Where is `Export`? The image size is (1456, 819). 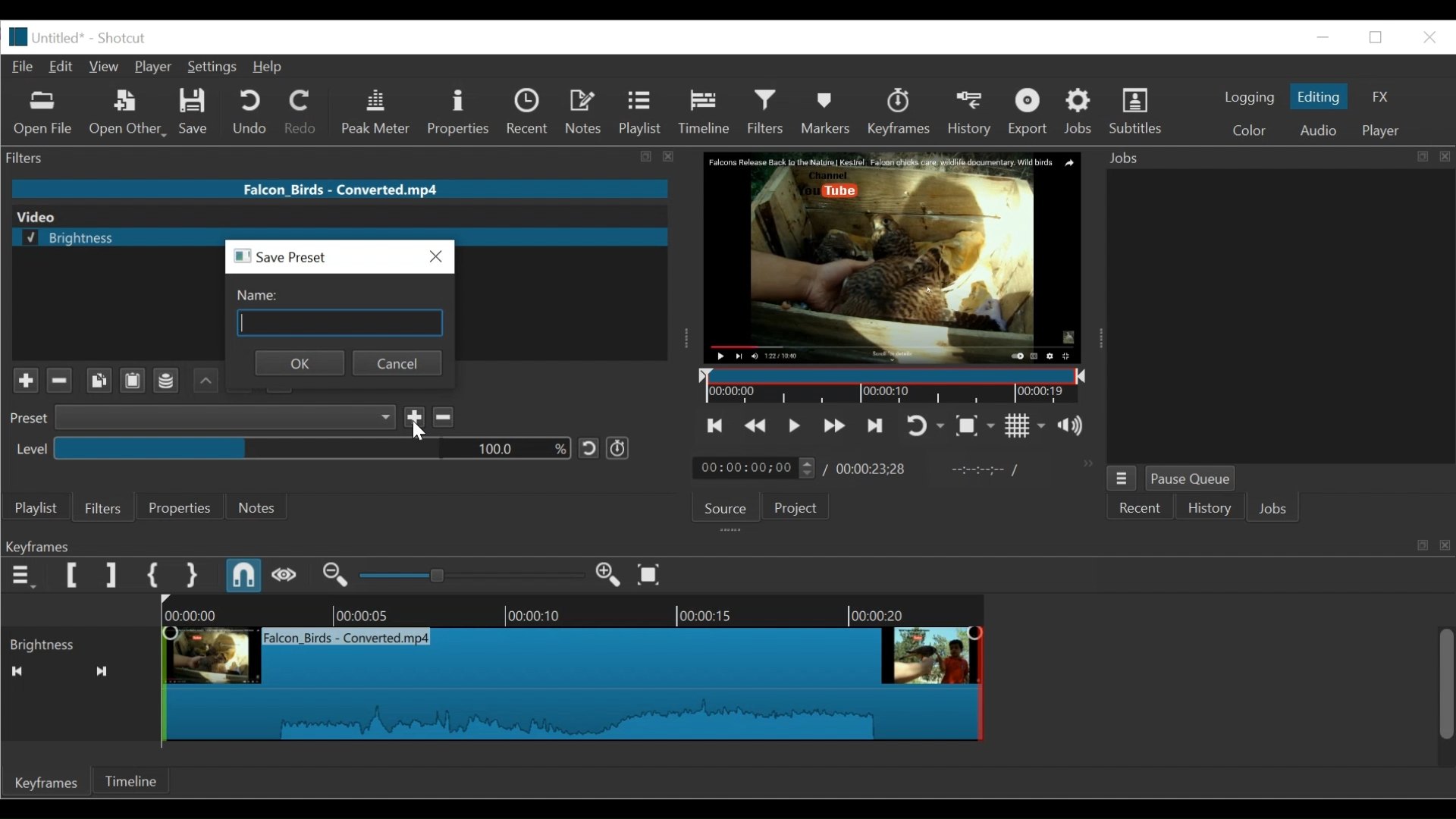
Export is located at coordinates (1029, 112).